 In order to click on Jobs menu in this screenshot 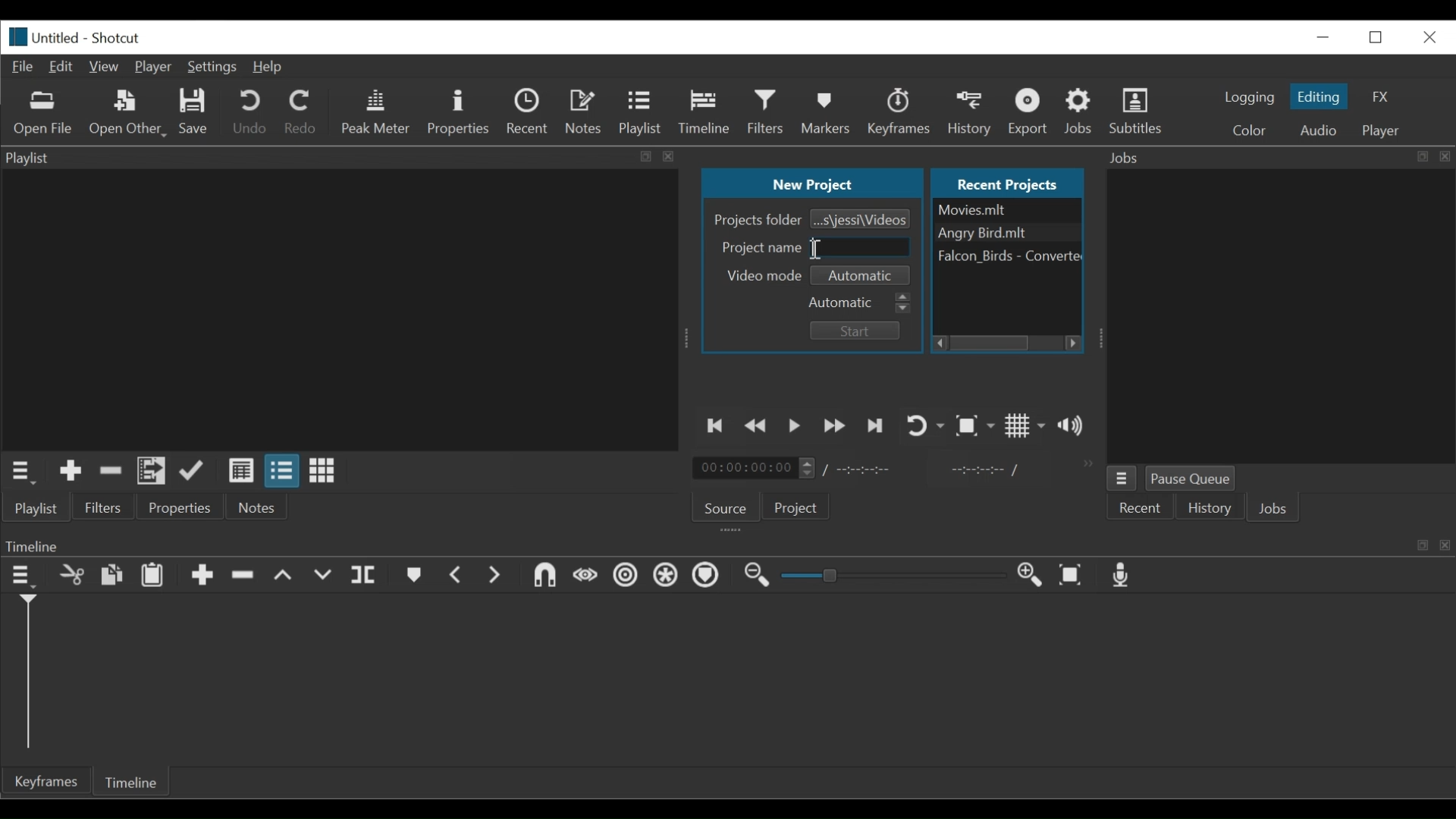, I will do `click(1122, 477)`.